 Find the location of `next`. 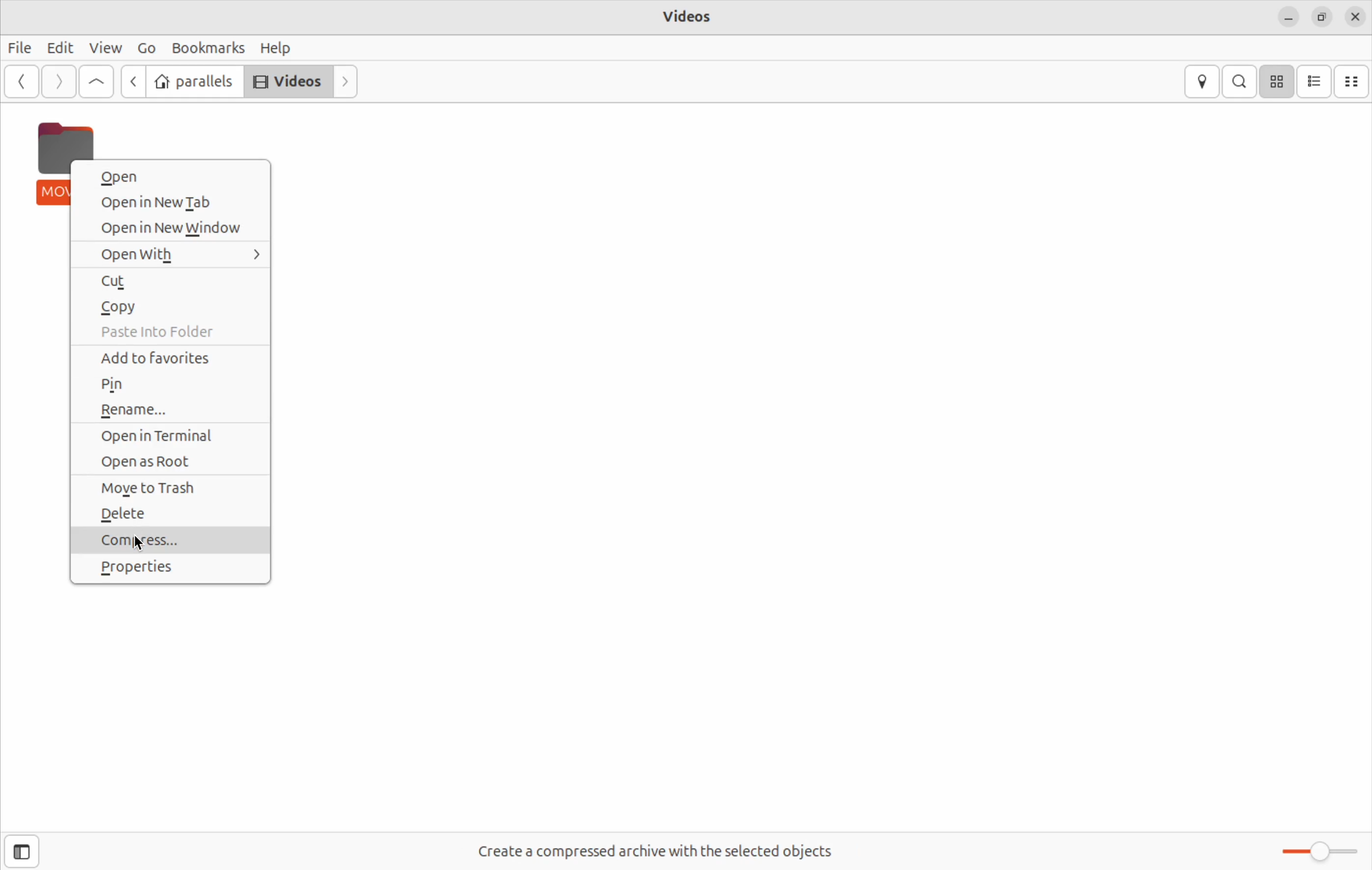

next is located at coordinates (56, 81).